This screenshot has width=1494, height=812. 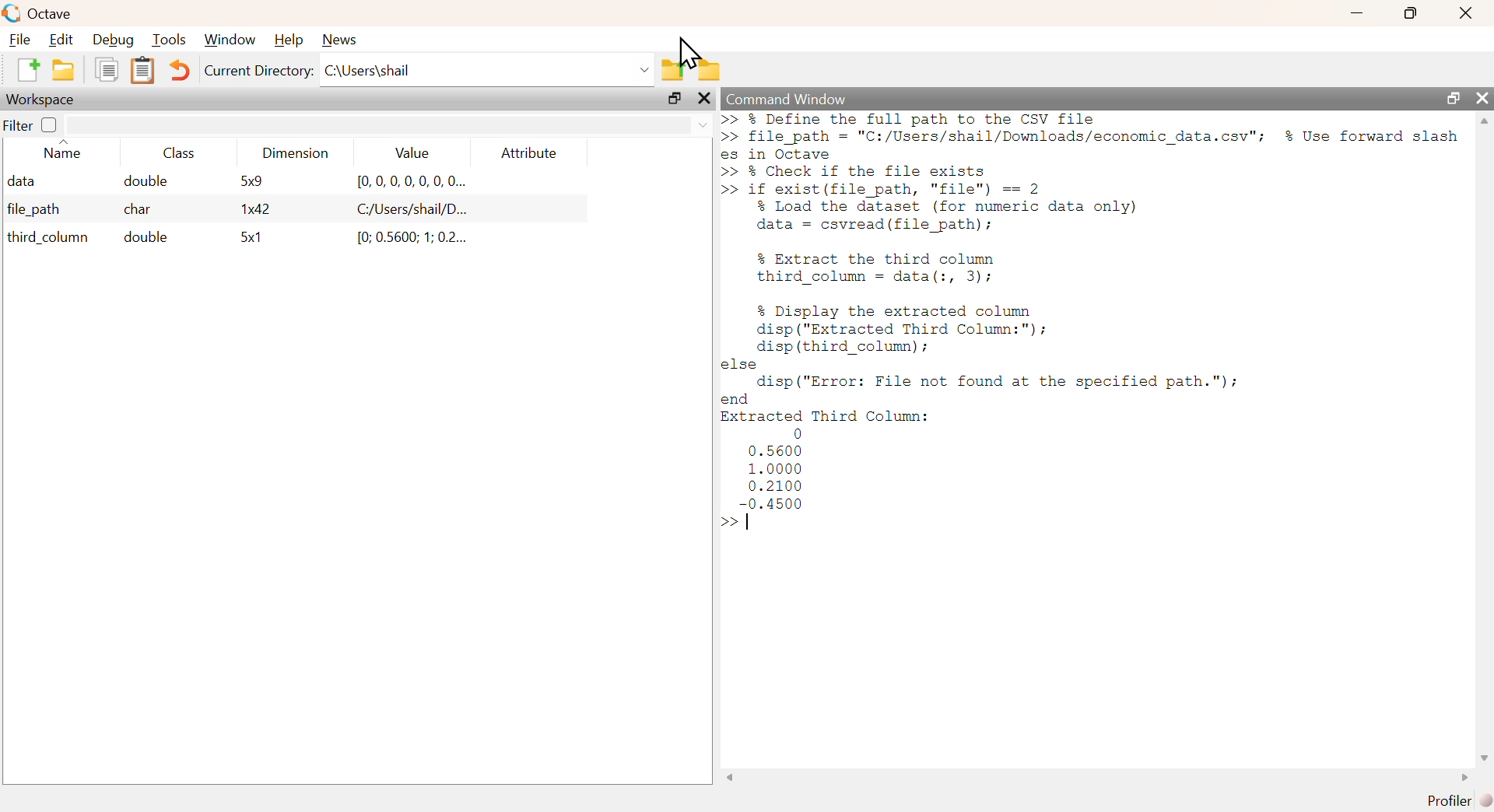 What do you see at coordinates (711, 67) in the screenshot?
I see `folder` at bounding box center [711, 67].